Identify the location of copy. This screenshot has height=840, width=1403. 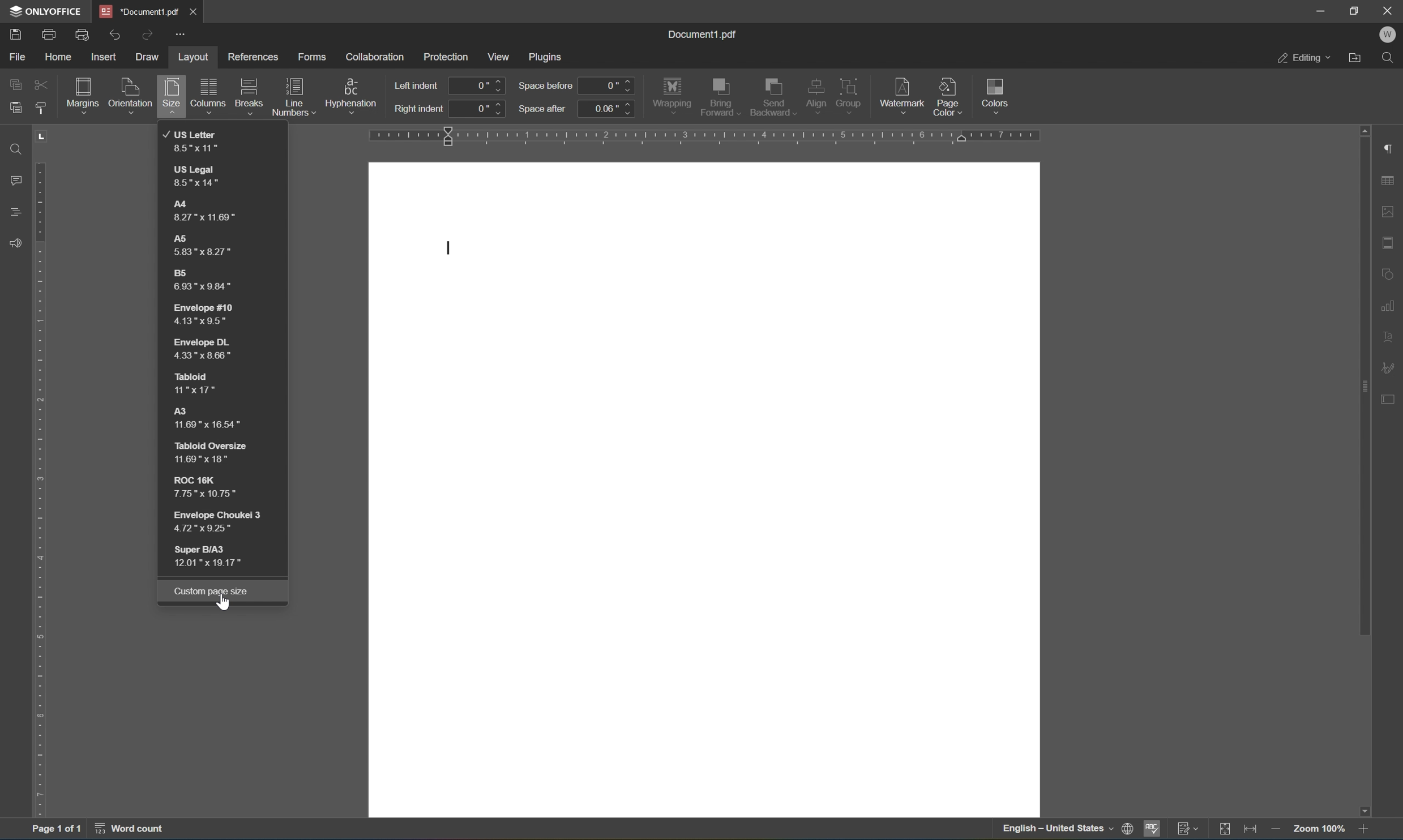
(15, 83).